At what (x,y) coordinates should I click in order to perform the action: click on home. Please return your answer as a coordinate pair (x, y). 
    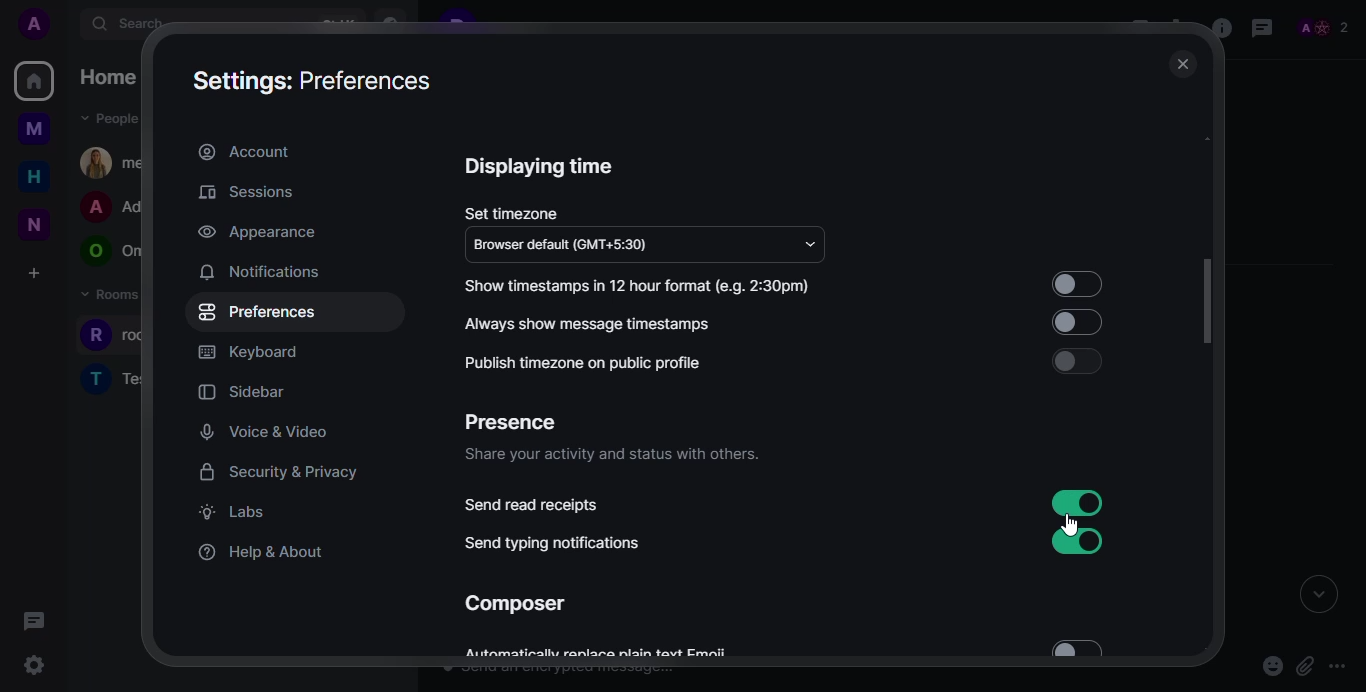
    Looking at the image, I should click on (33, 177).